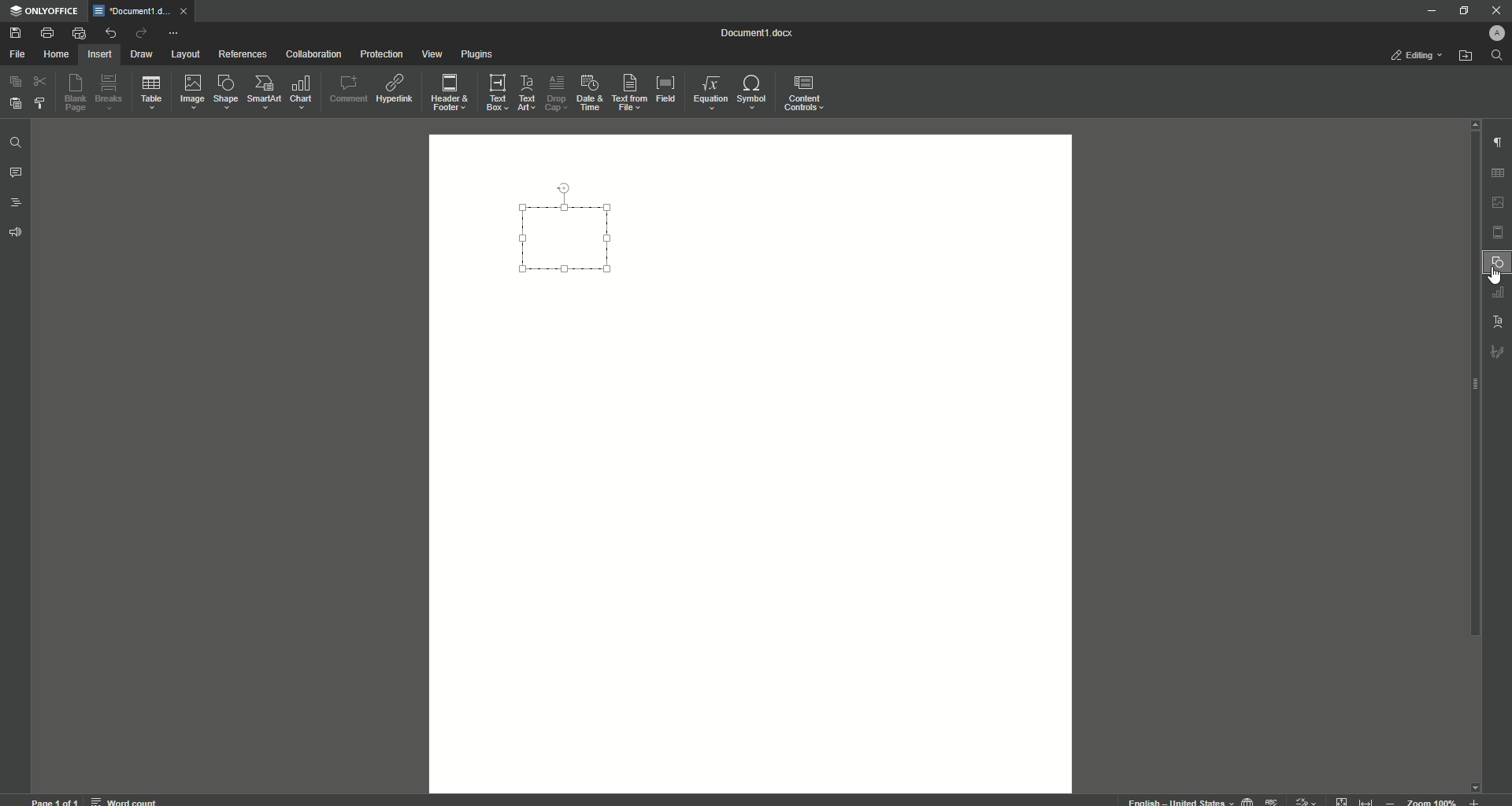 This screenshot has height=806, width=1512. I want to click on Text Art, so click(524, 94).